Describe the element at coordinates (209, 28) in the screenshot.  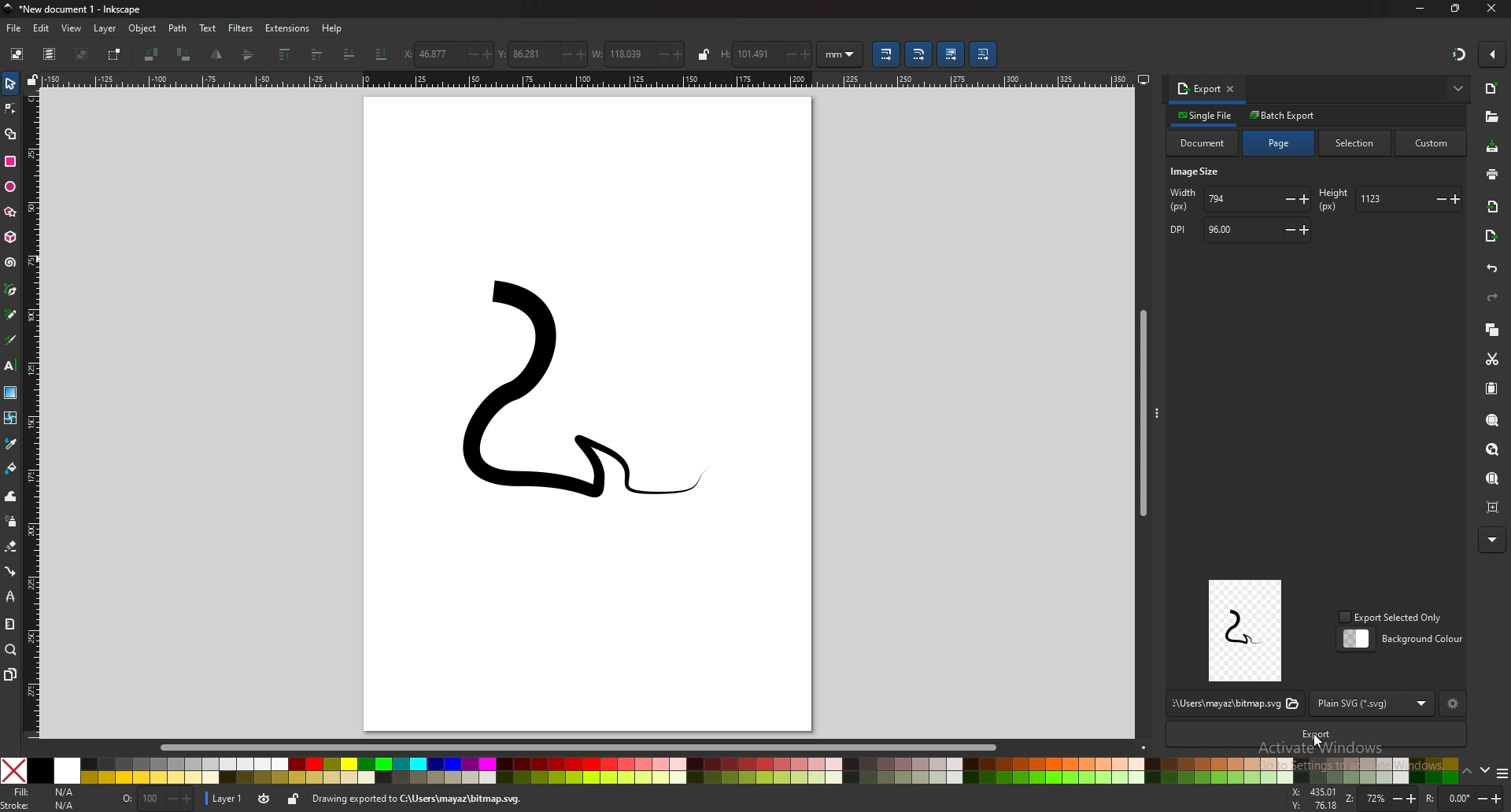
I see `text` at that location.